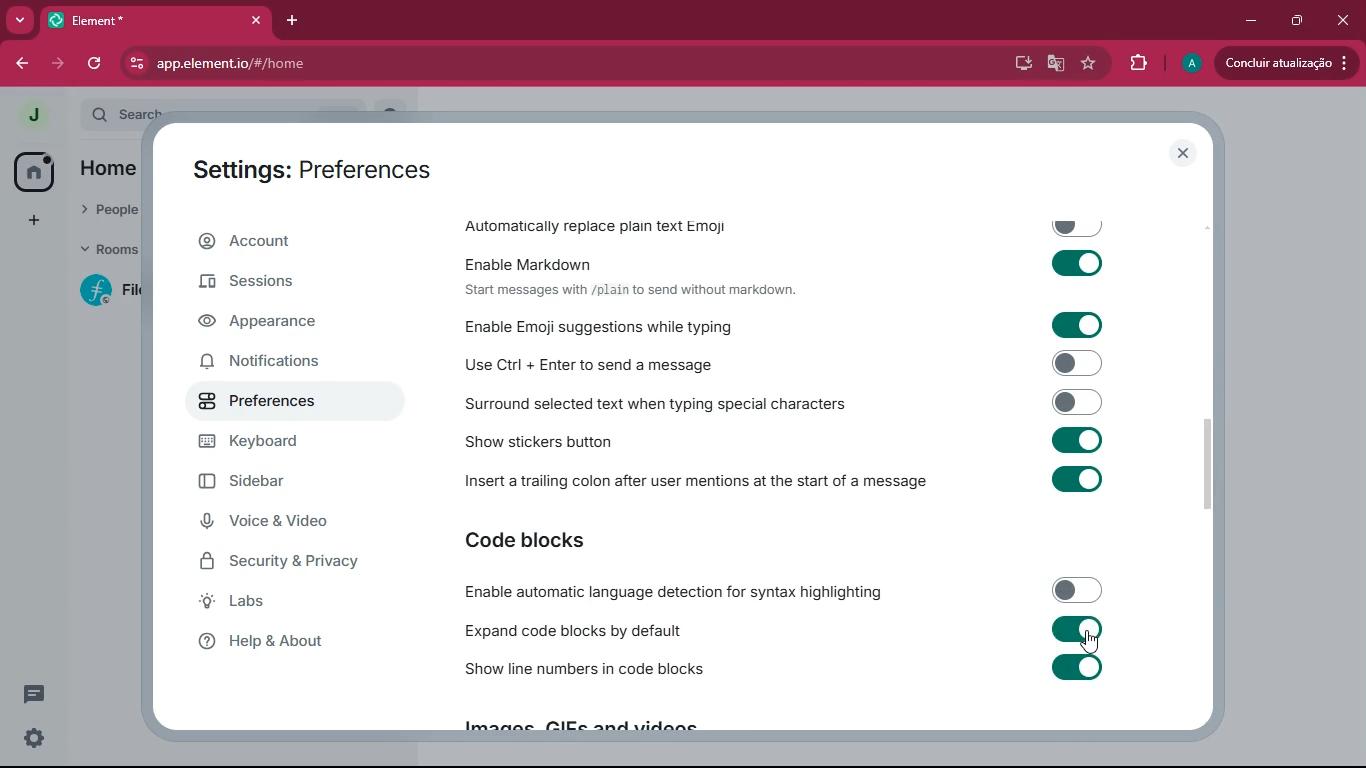  What do you see at coordinates (1056, 63) in the screenshot?
I see `google translate` at bounding box center [1056, 63].